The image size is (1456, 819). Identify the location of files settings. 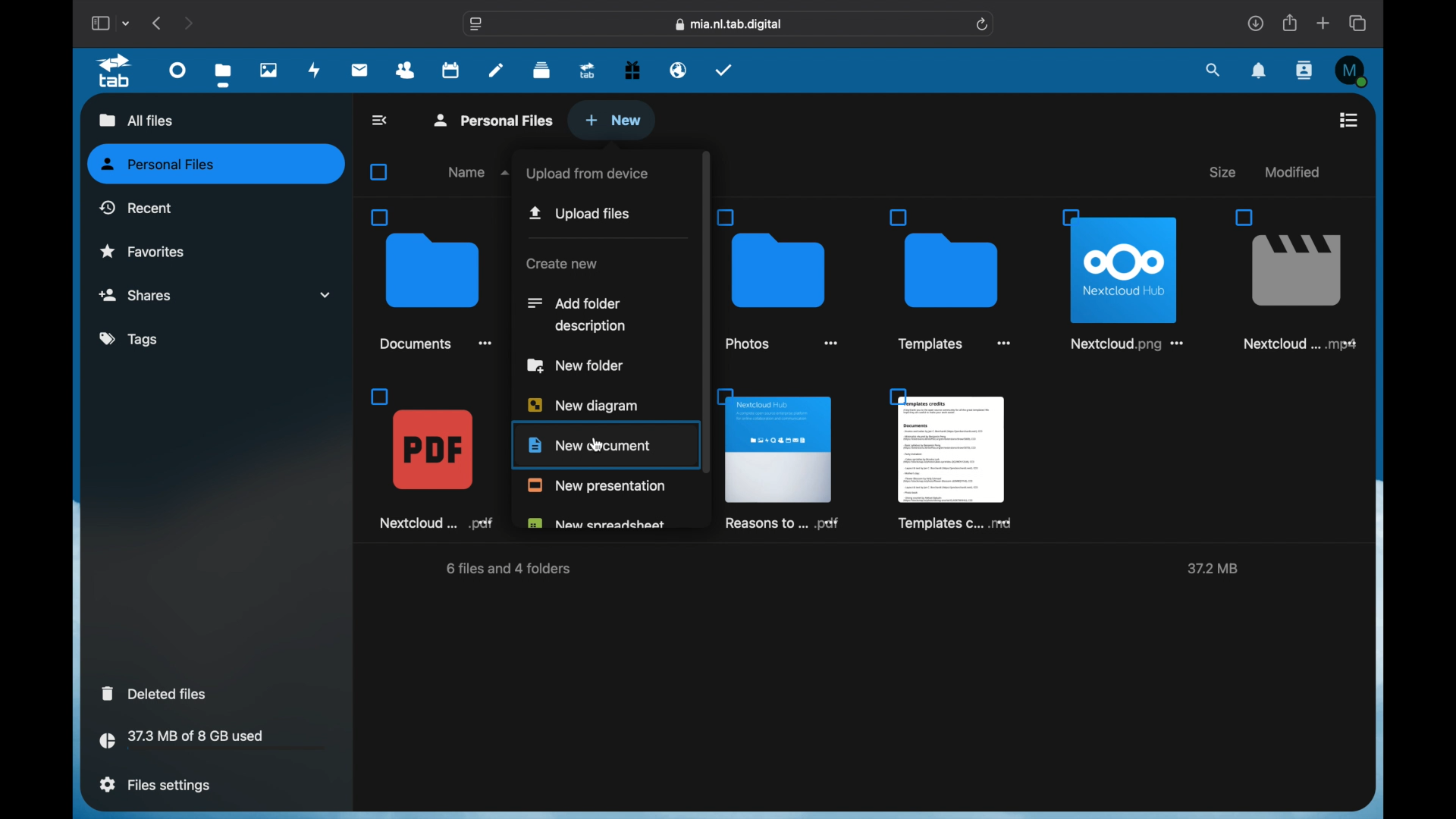
(155, 785).